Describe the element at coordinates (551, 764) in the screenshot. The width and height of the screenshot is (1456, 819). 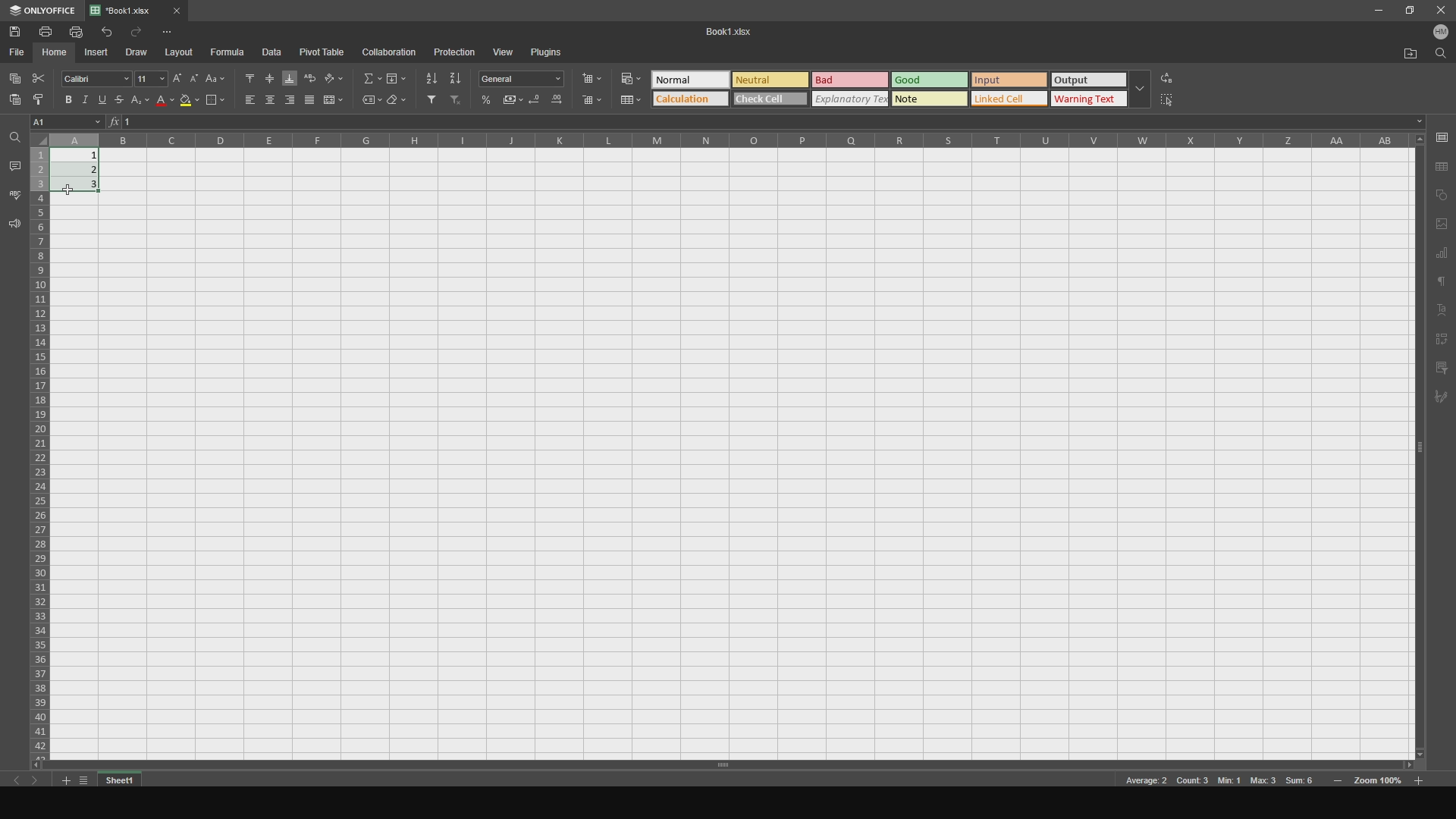
I see `horizontal slider` at that location.